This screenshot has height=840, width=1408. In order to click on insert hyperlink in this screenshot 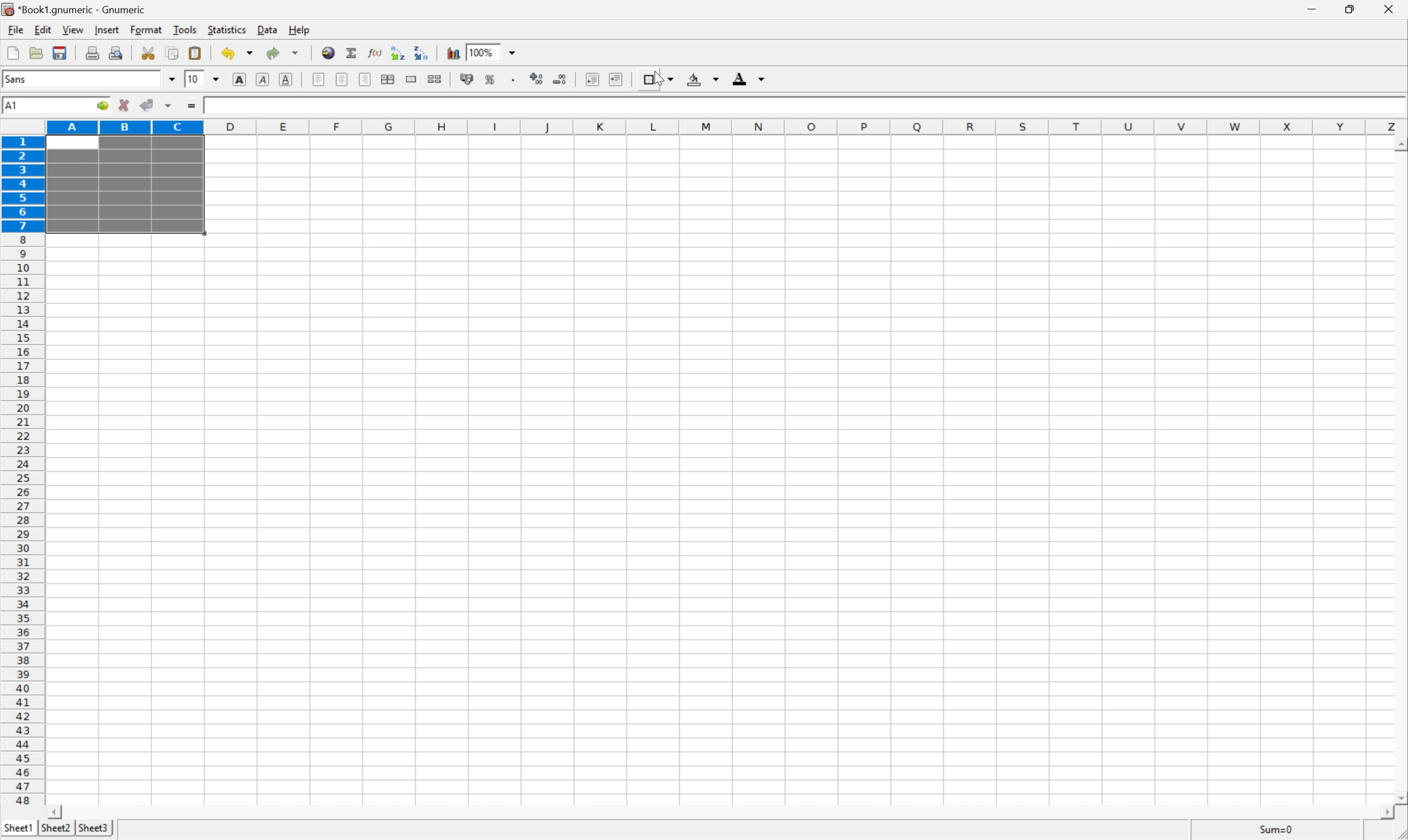, I will do `click(327, 52)`.